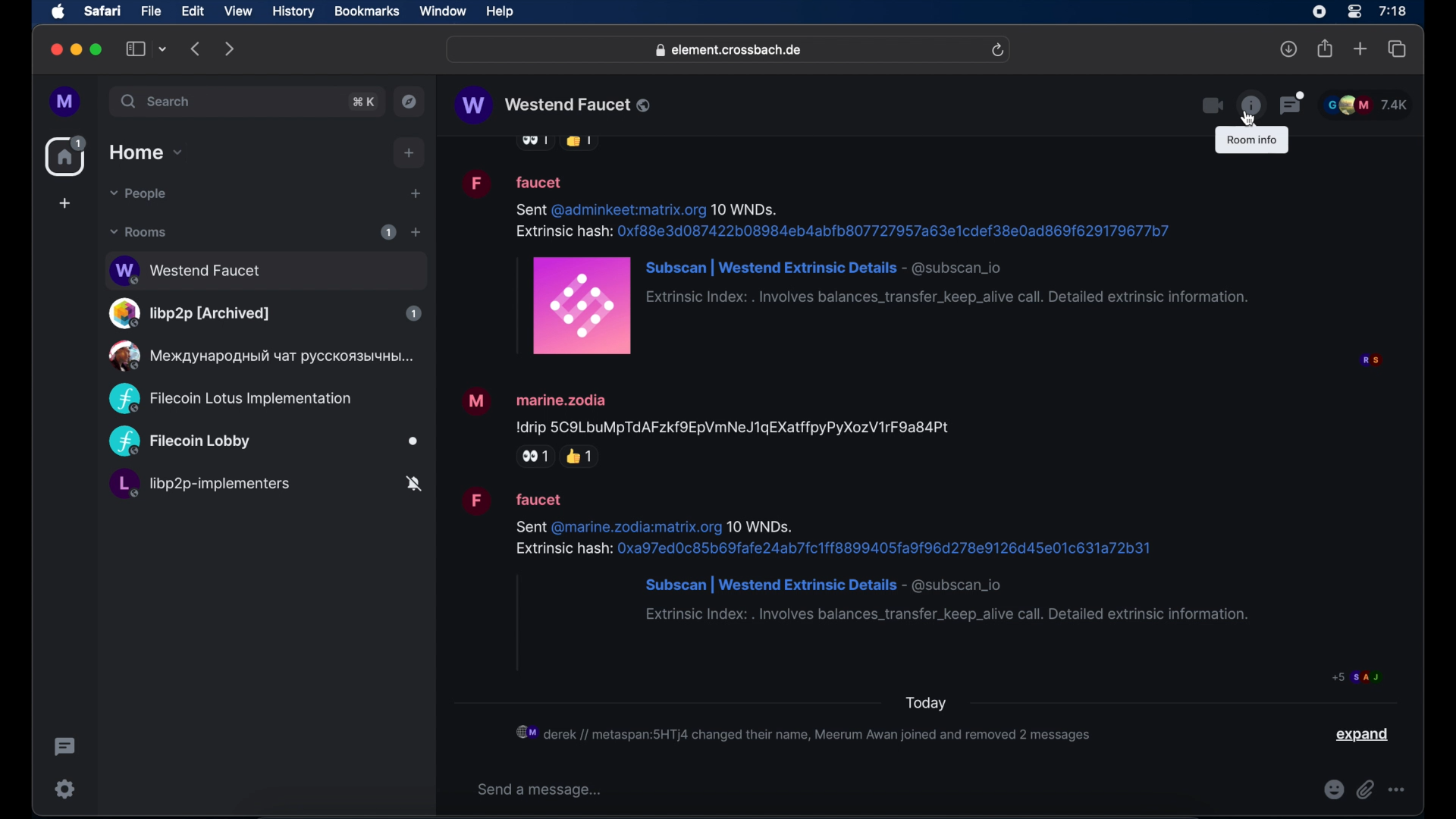 Image resolution: width=1456 pixels, height=819 pixels. I want to click on apple icon, so click(58, 12).